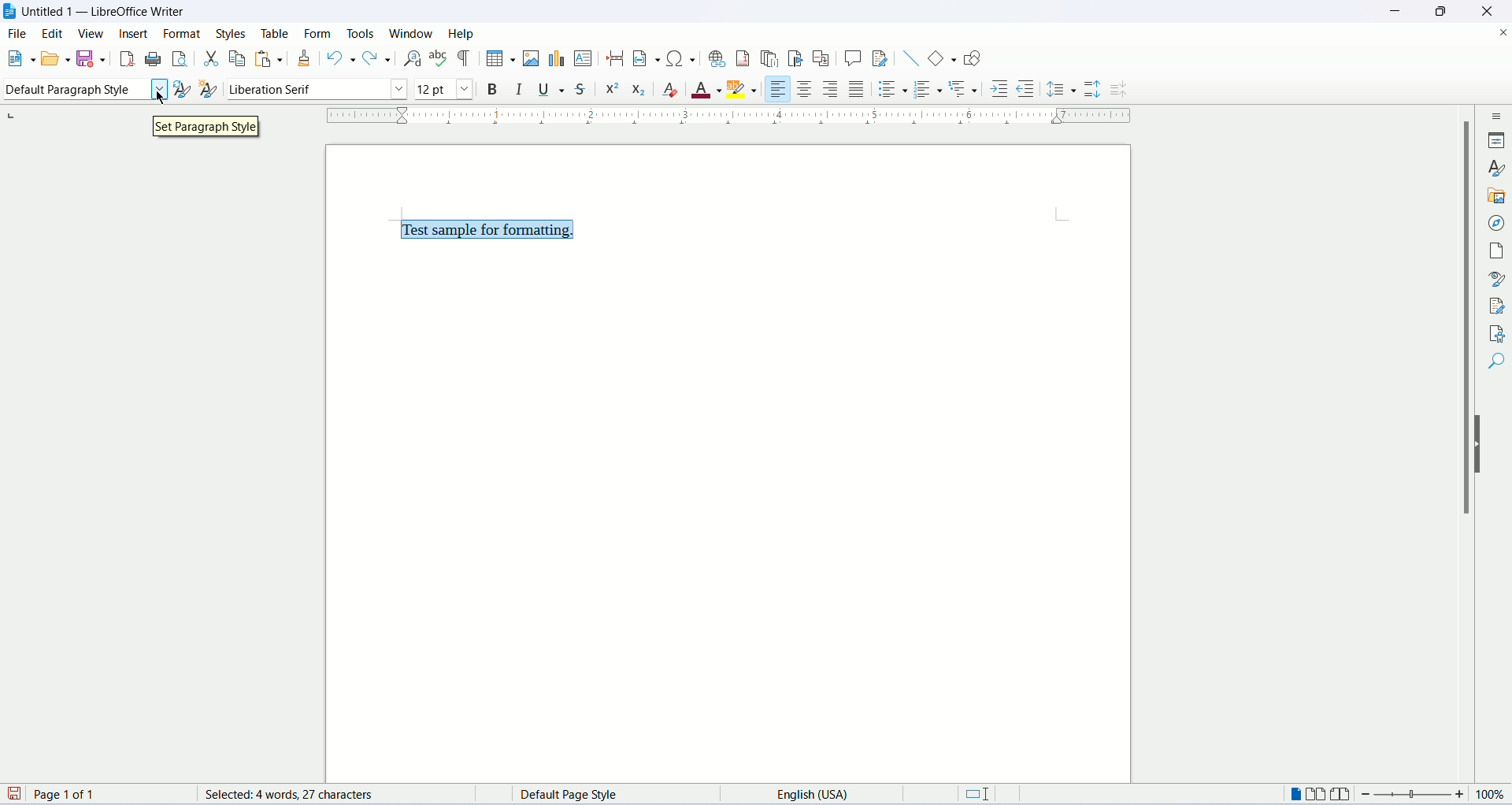  Describe the element at coordinates (185, 33) in the screenshot. I see `format` at that location.